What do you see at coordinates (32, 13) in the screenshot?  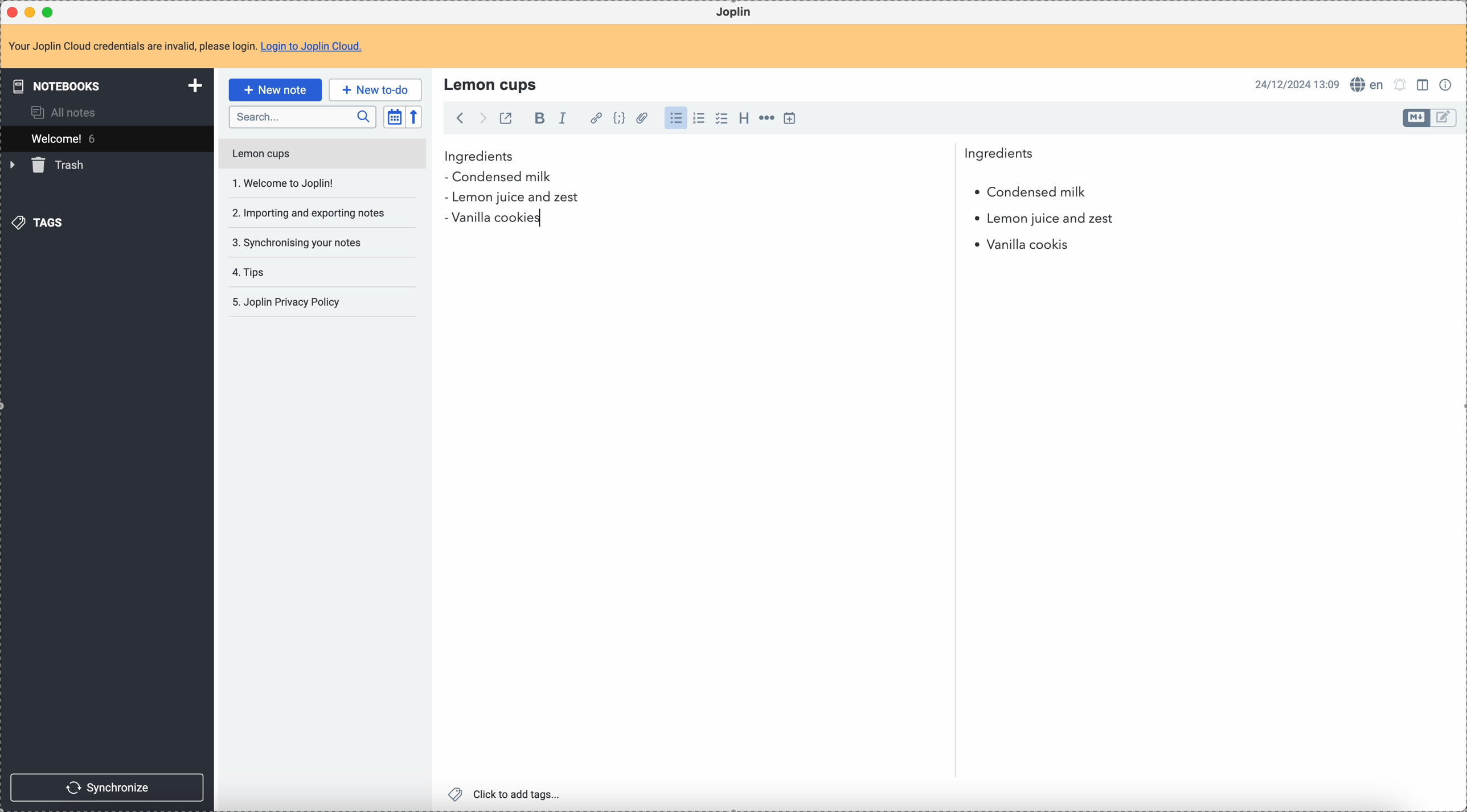 I see `minimize` at bounding box center [32, 13].